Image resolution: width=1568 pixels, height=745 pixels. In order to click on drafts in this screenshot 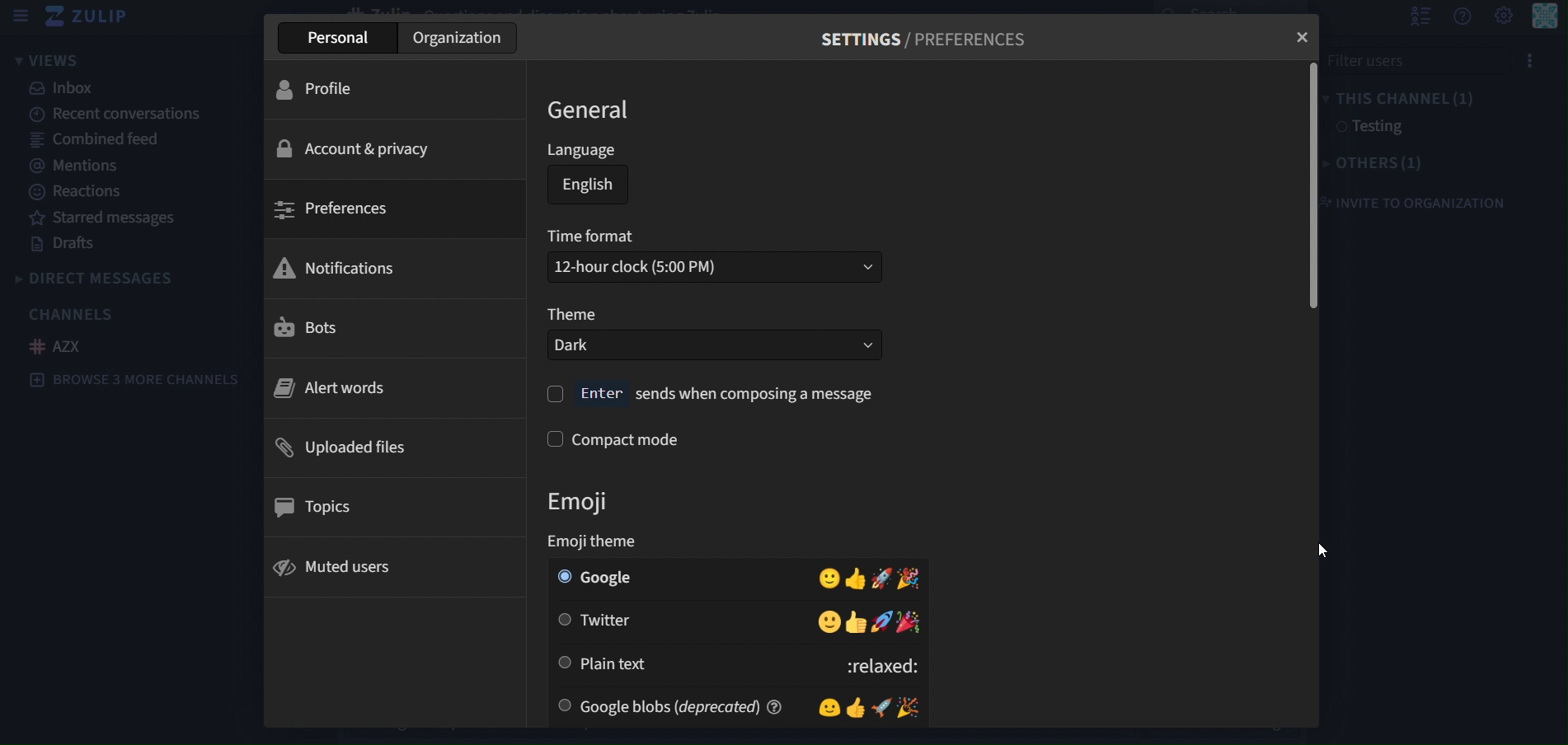, I will do `click(61, 244)`.